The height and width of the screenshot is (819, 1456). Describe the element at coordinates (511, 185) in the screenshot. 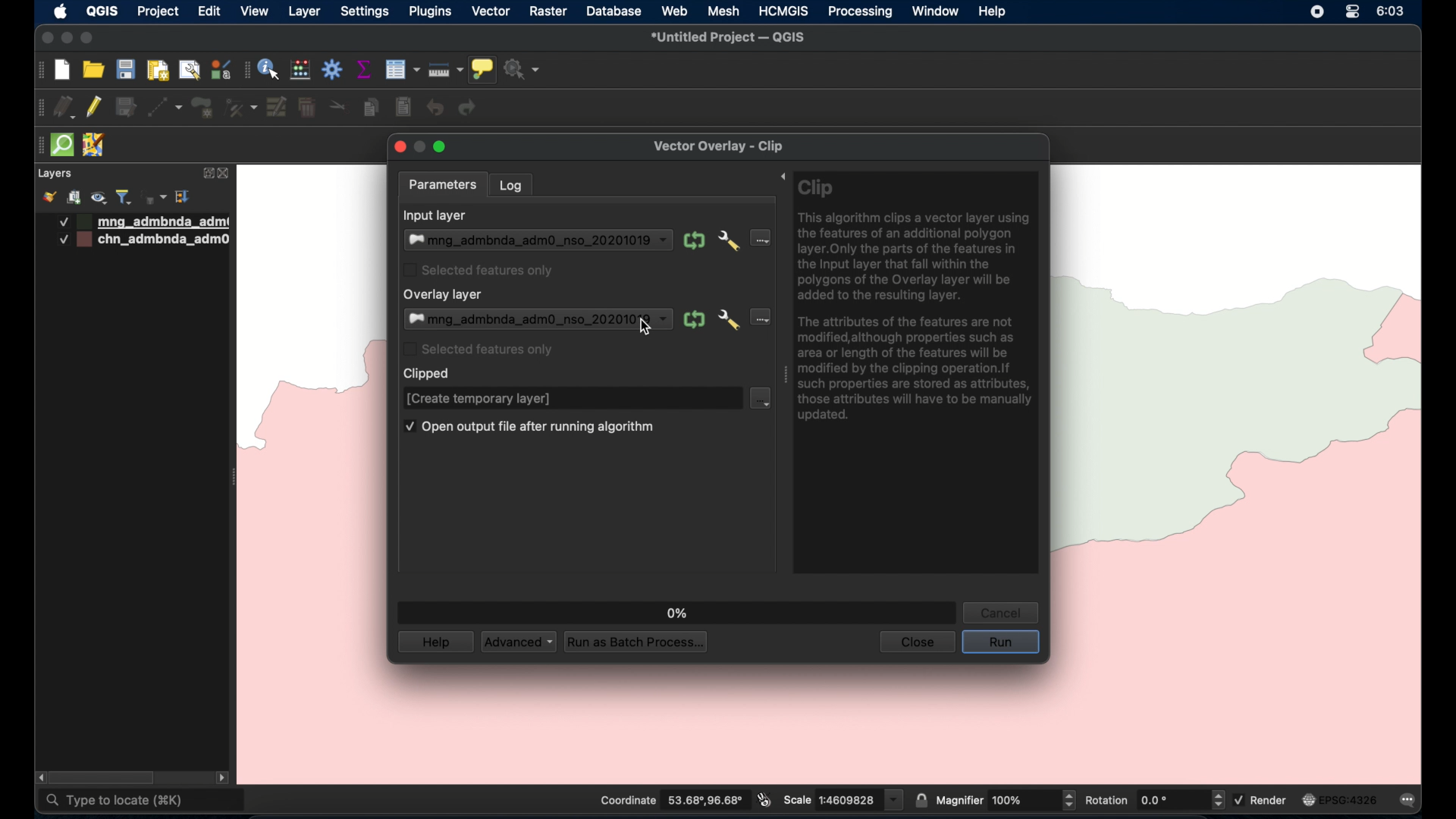

I see `log` at that location.